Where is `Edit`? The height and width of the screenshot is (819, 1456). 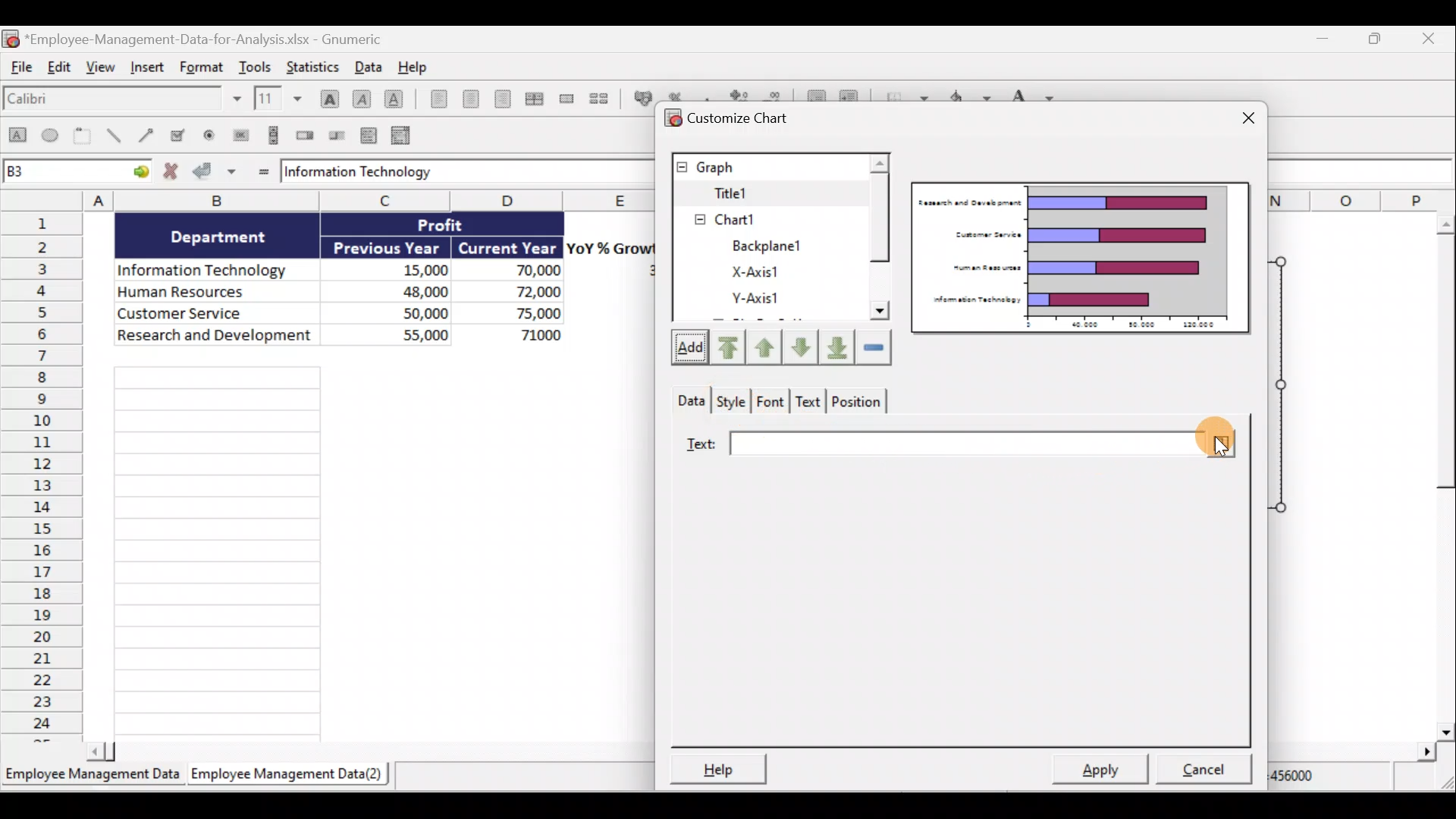 Edit is located at coordinates (62, 71).